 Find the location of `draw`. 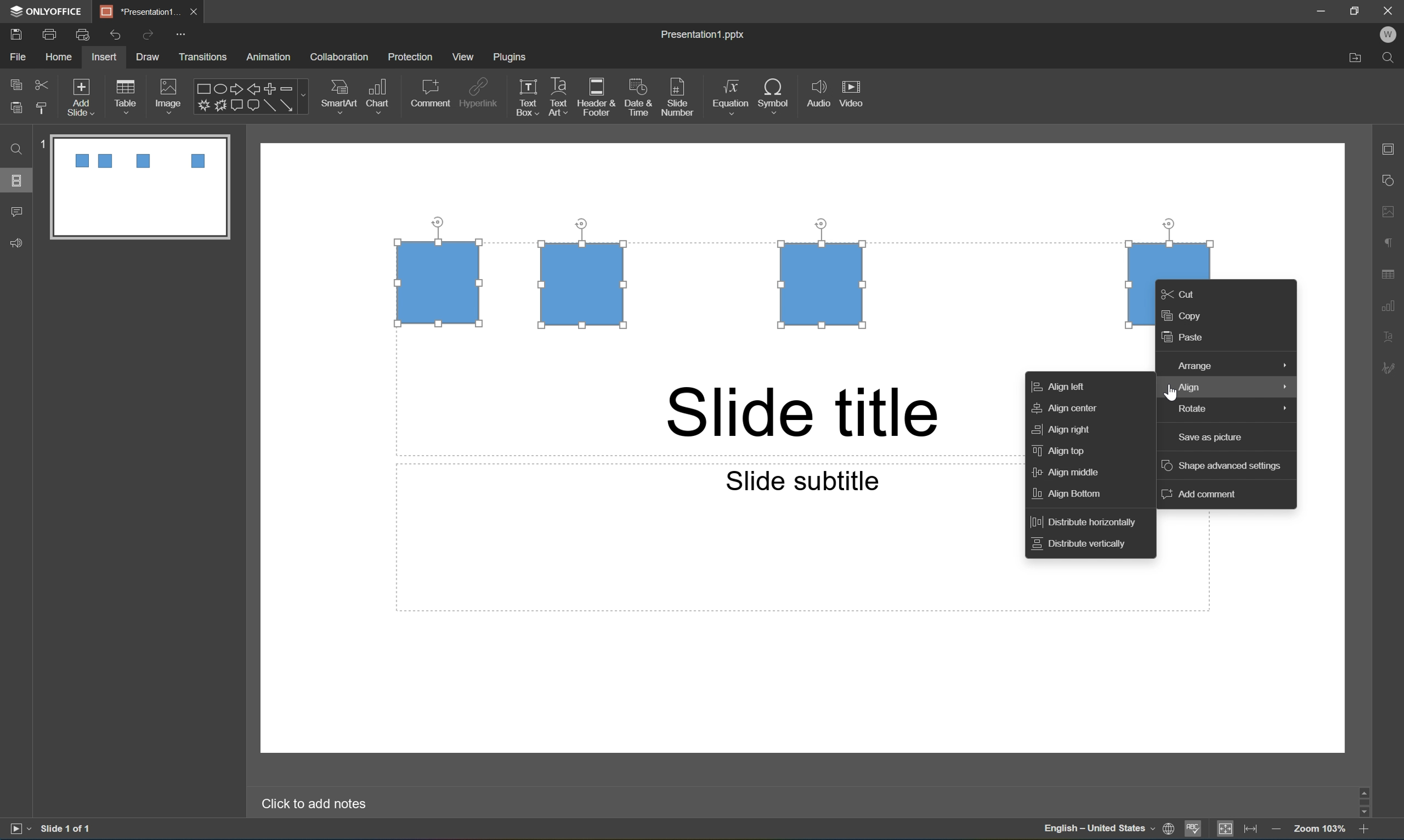

draw is located at coordinates (145, 57).